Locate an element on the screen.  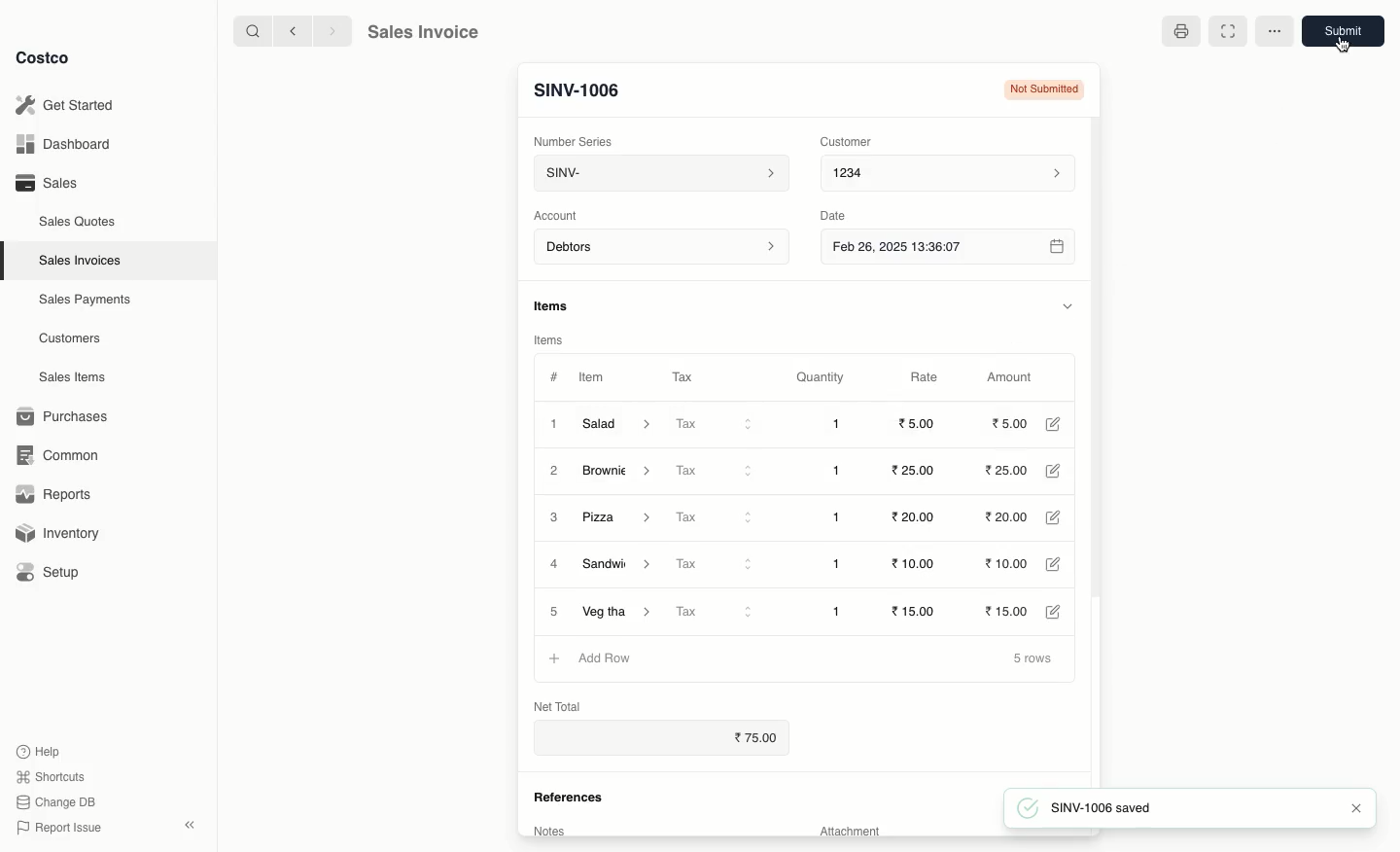
Net Total is located at coordinates (552, 704).